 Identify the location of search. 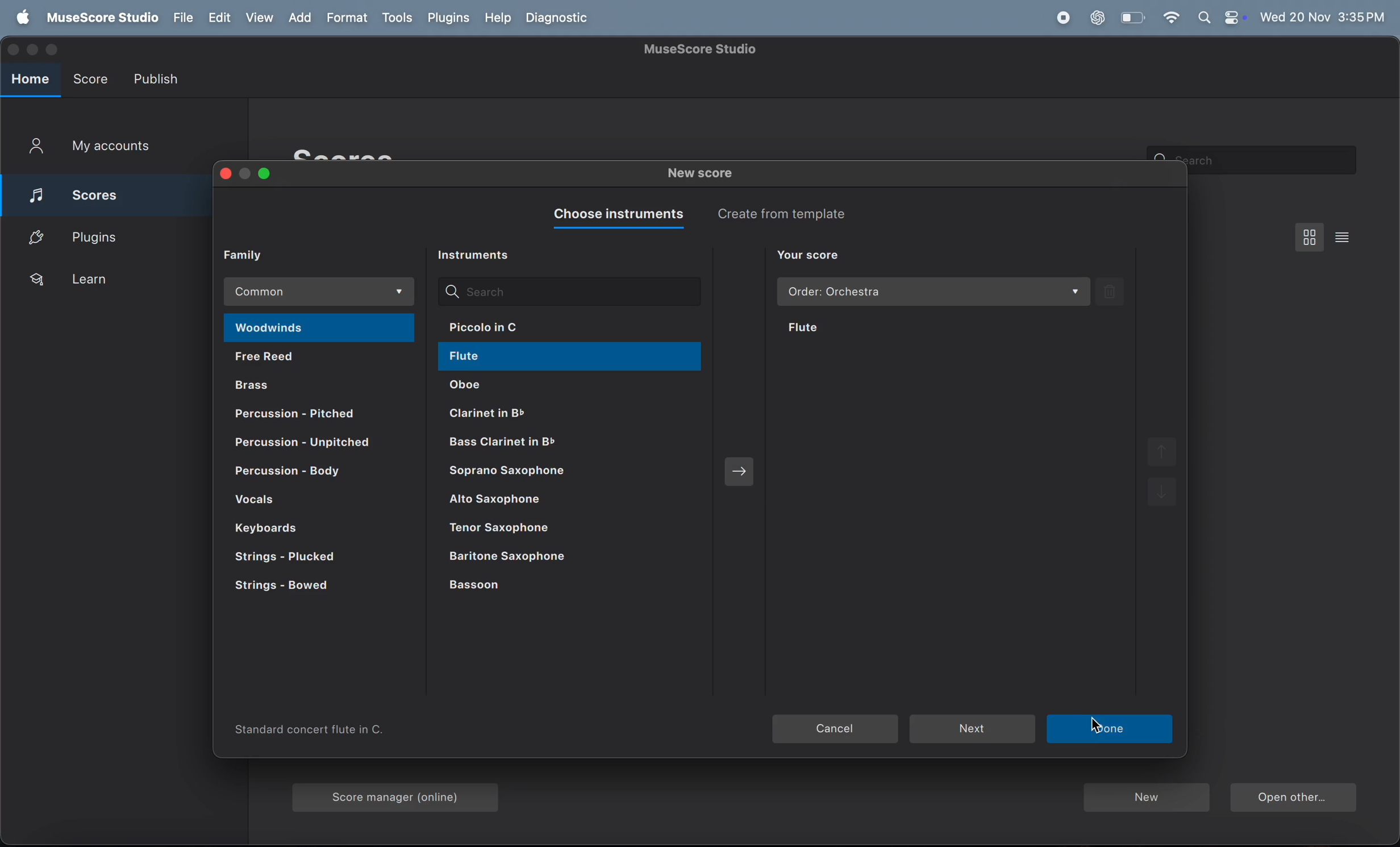
(1276, 160).